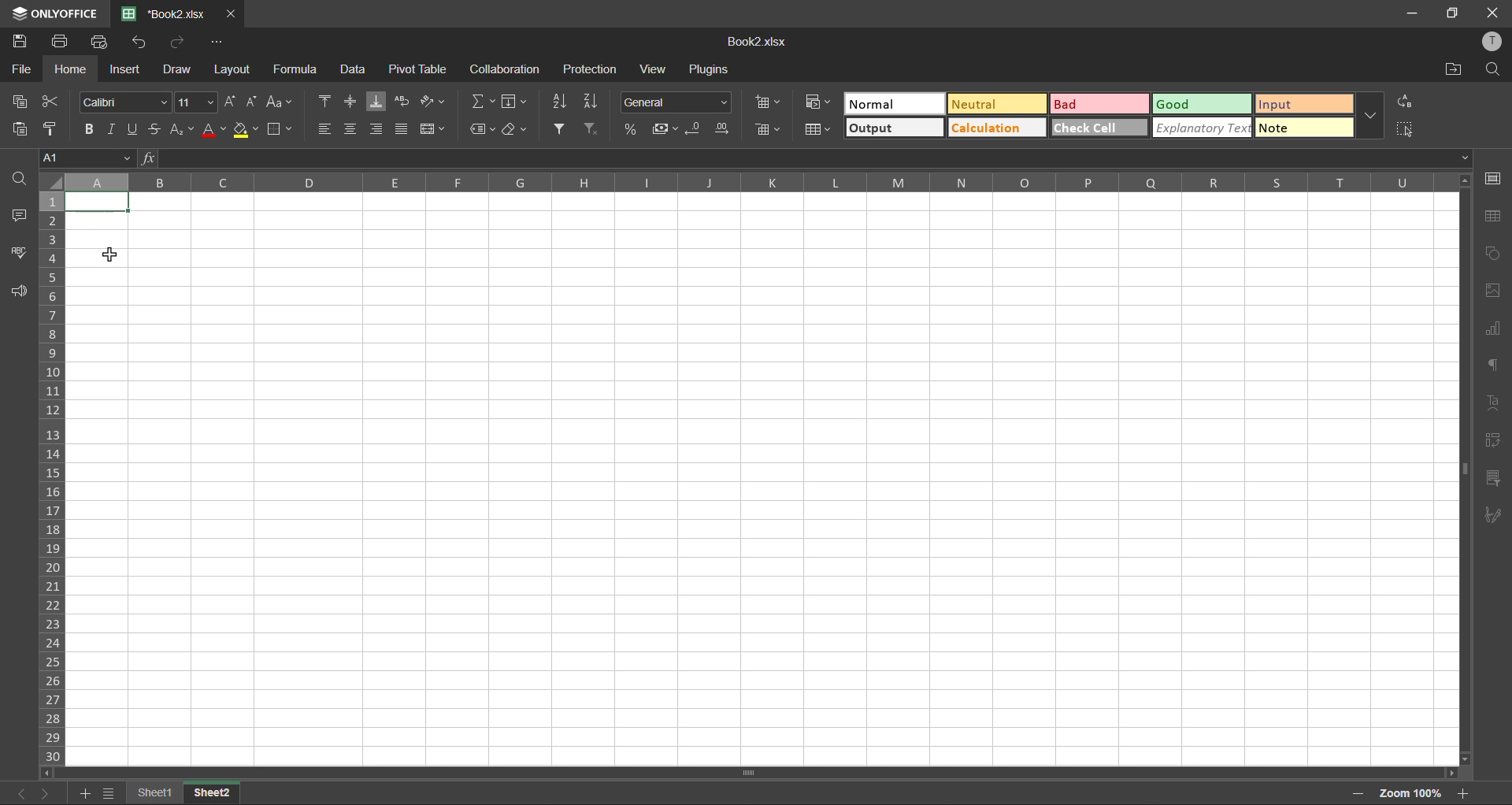  I want to click on fill color, so click(247, 129).